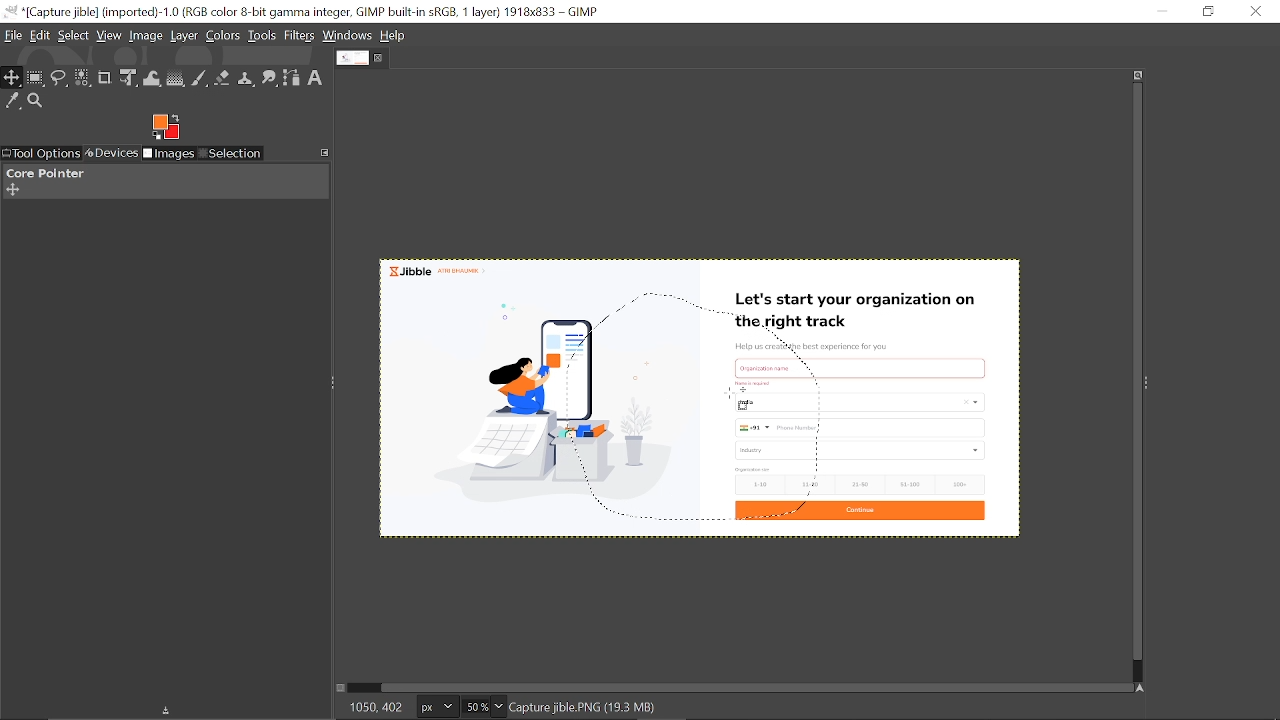 The height and width of the screenshot is (720, 1280). Describe the element at coordinates (779, 367) in the screenshot. I see `text` at that location.